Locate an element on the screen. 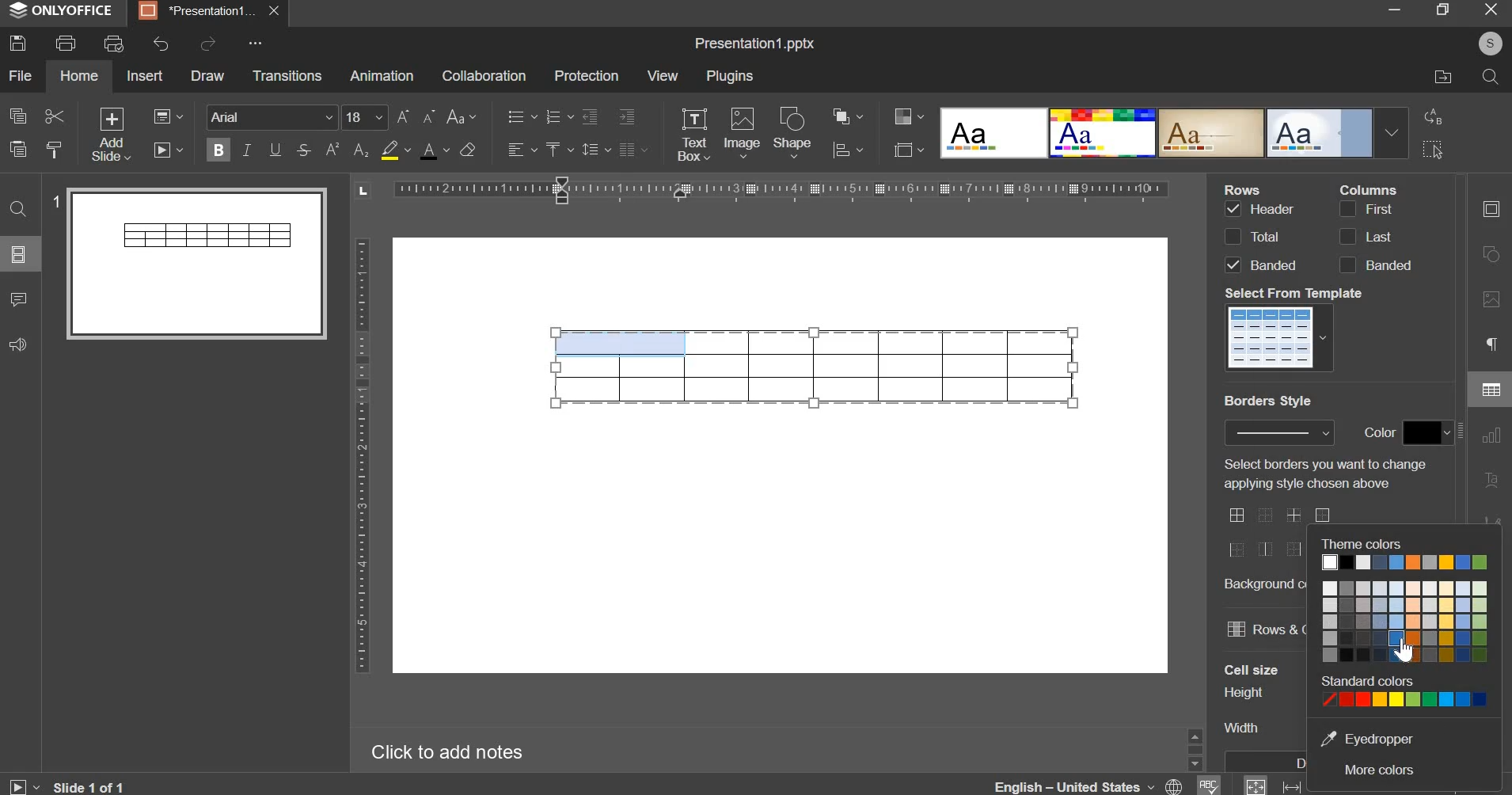 This screenshot has height=795, width=1512. protection is located at coordinates (586, 76).